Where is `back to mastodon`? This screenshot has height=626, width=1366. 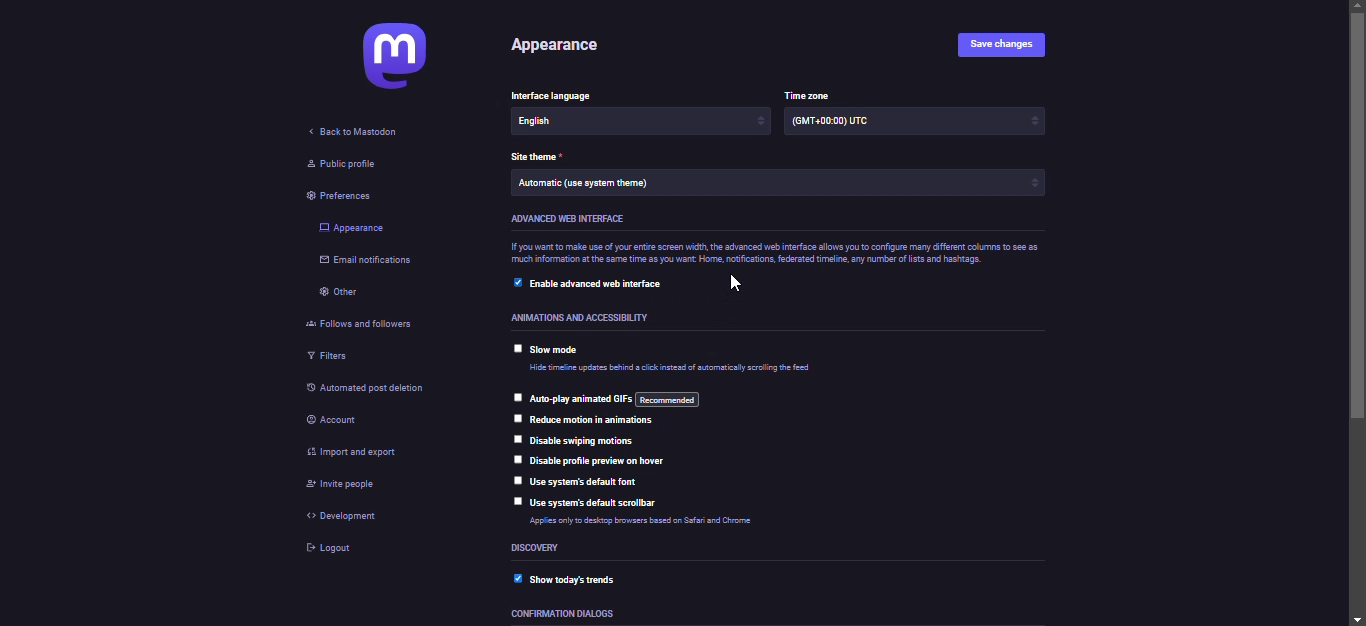 back to mastodon is located at coordinates (357, 135).